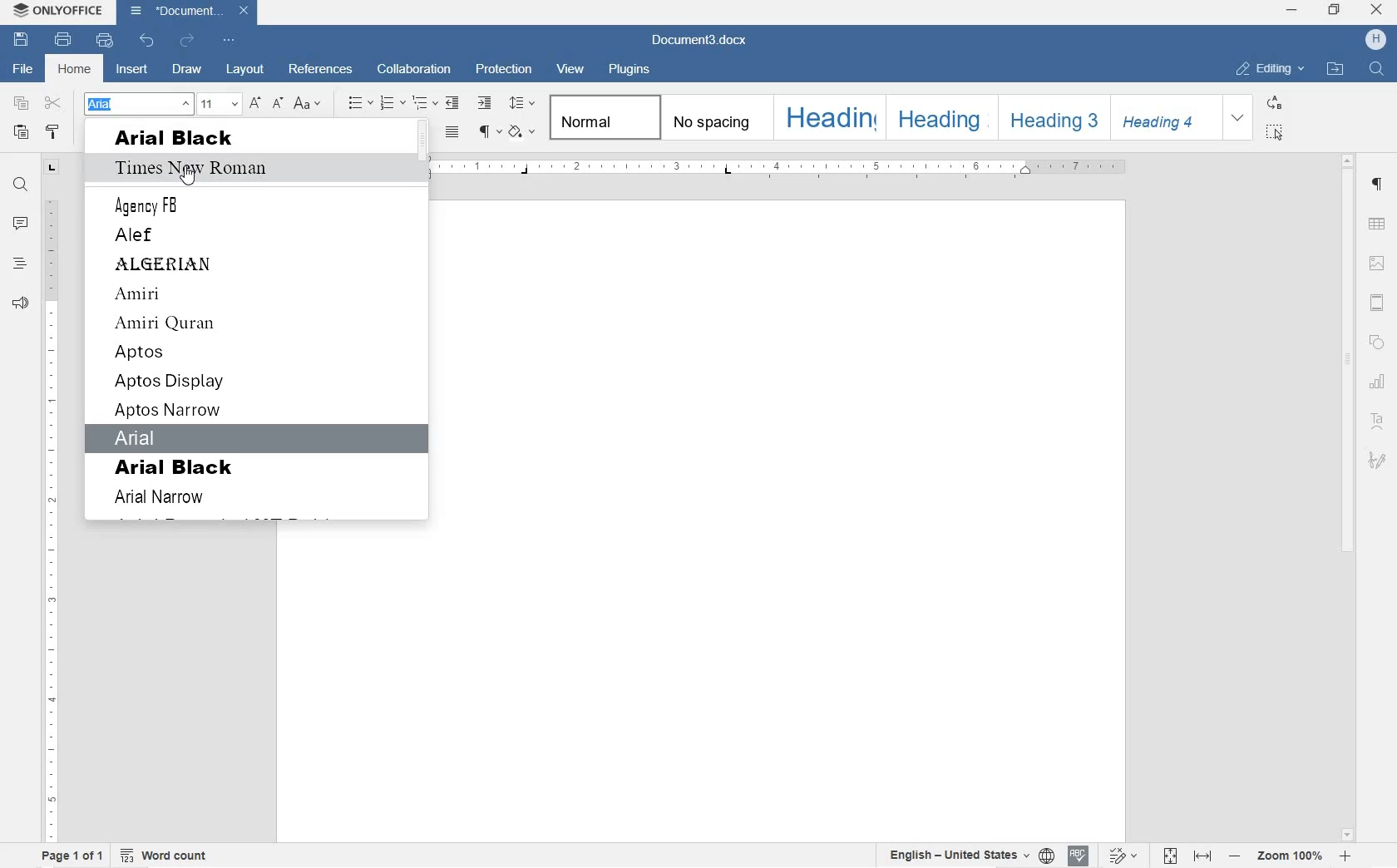 This screenshot has width=1397, height=868. I want to click on IMAGE, so click(1378, 264).